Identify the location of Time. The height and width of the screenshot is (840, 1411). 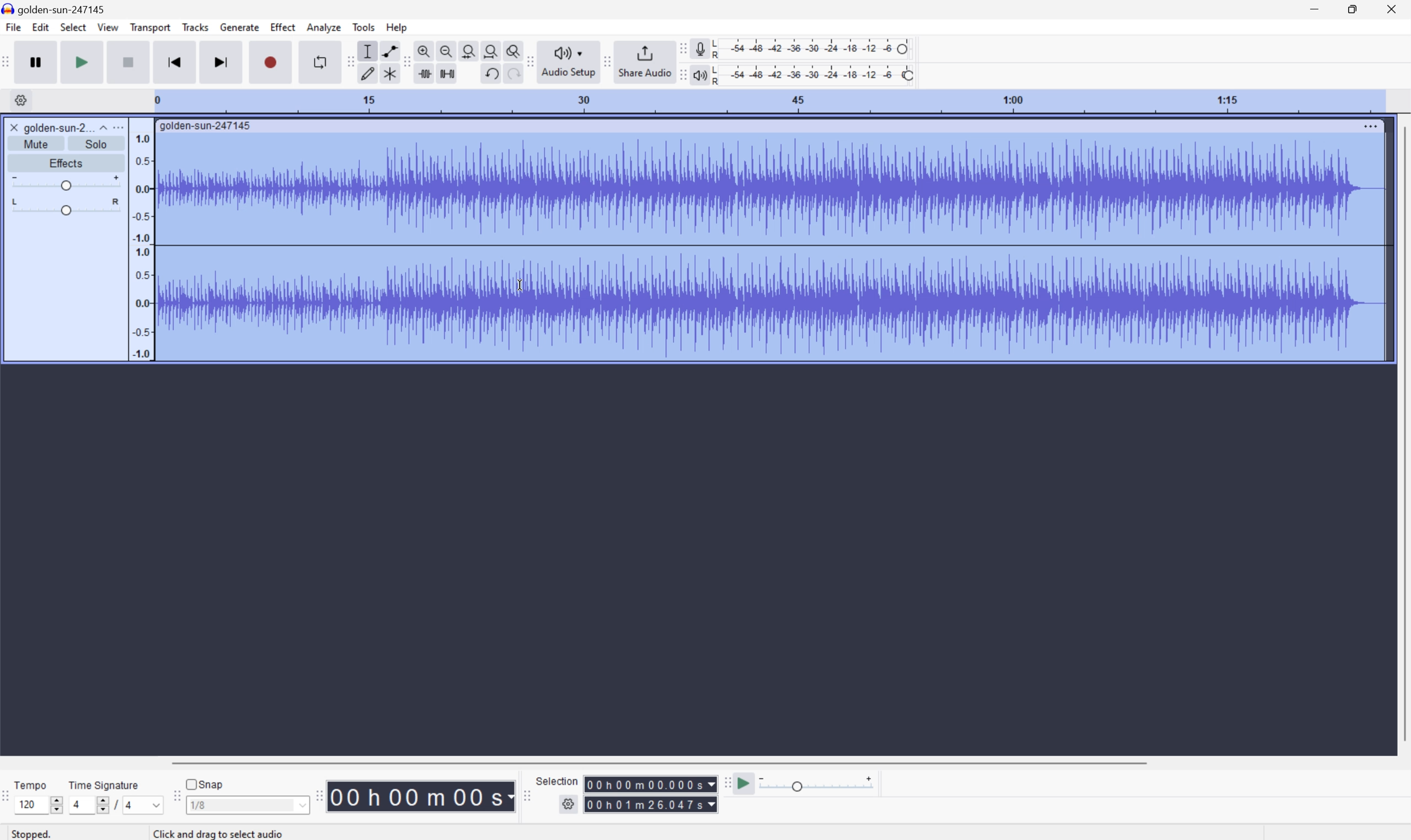
(422, 795).